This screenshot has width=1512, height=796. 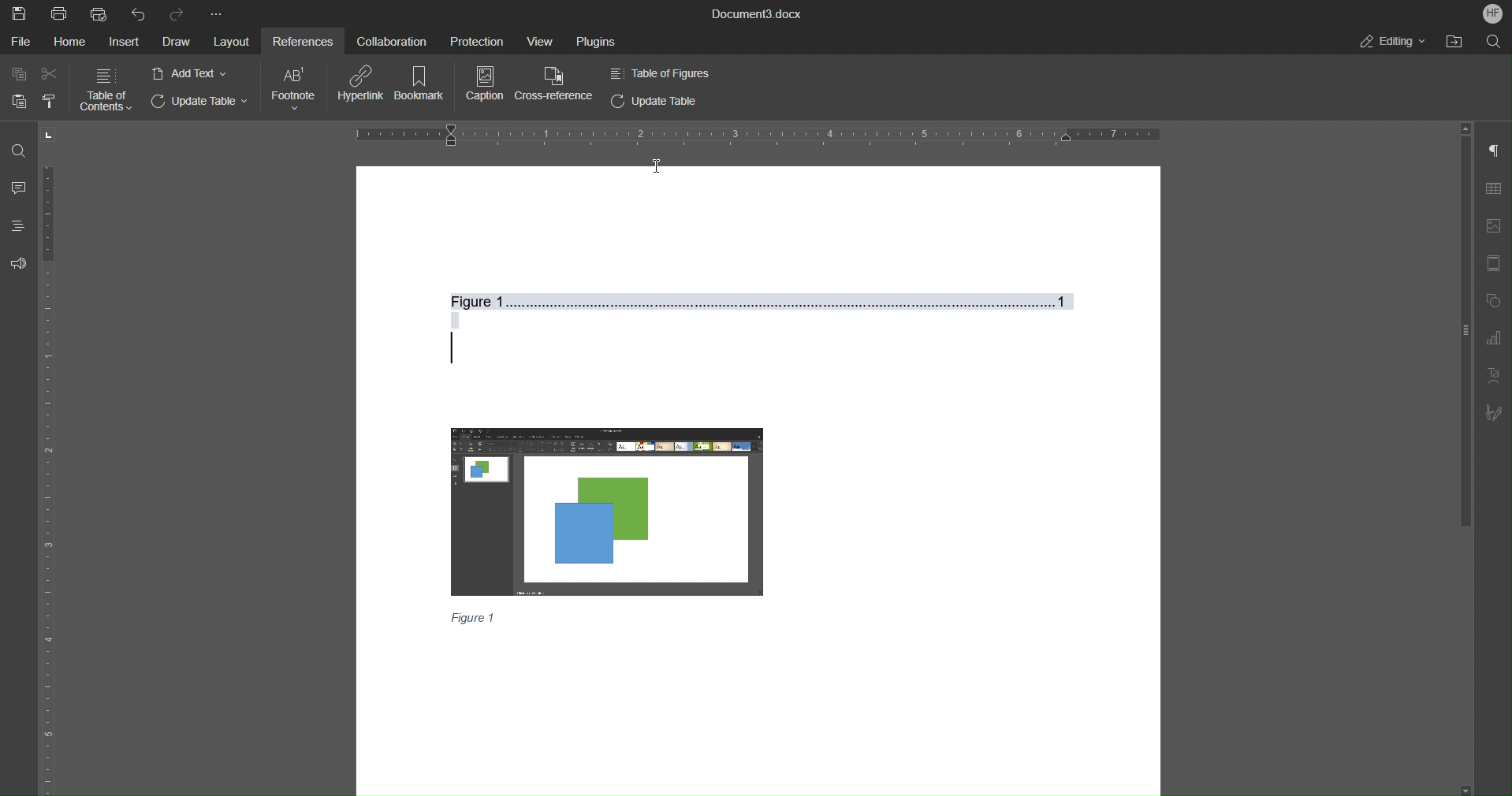 What do you see at coordinates (1494, 228) in the screenshot?
I see `Image Settings` at bounding box center [1494, 228].